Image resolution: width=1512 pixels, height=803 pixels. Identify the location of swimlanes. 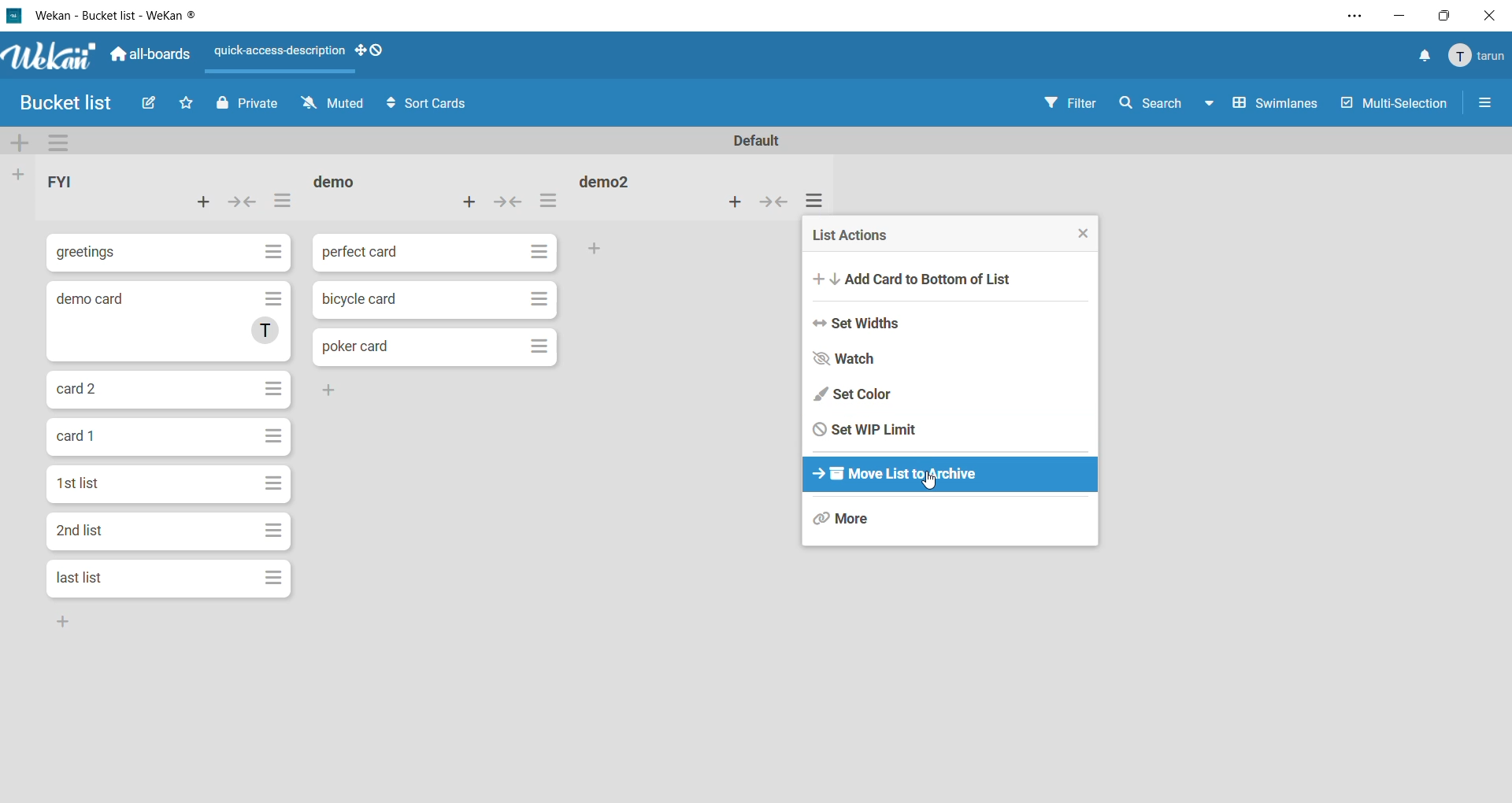
(1277, 105).